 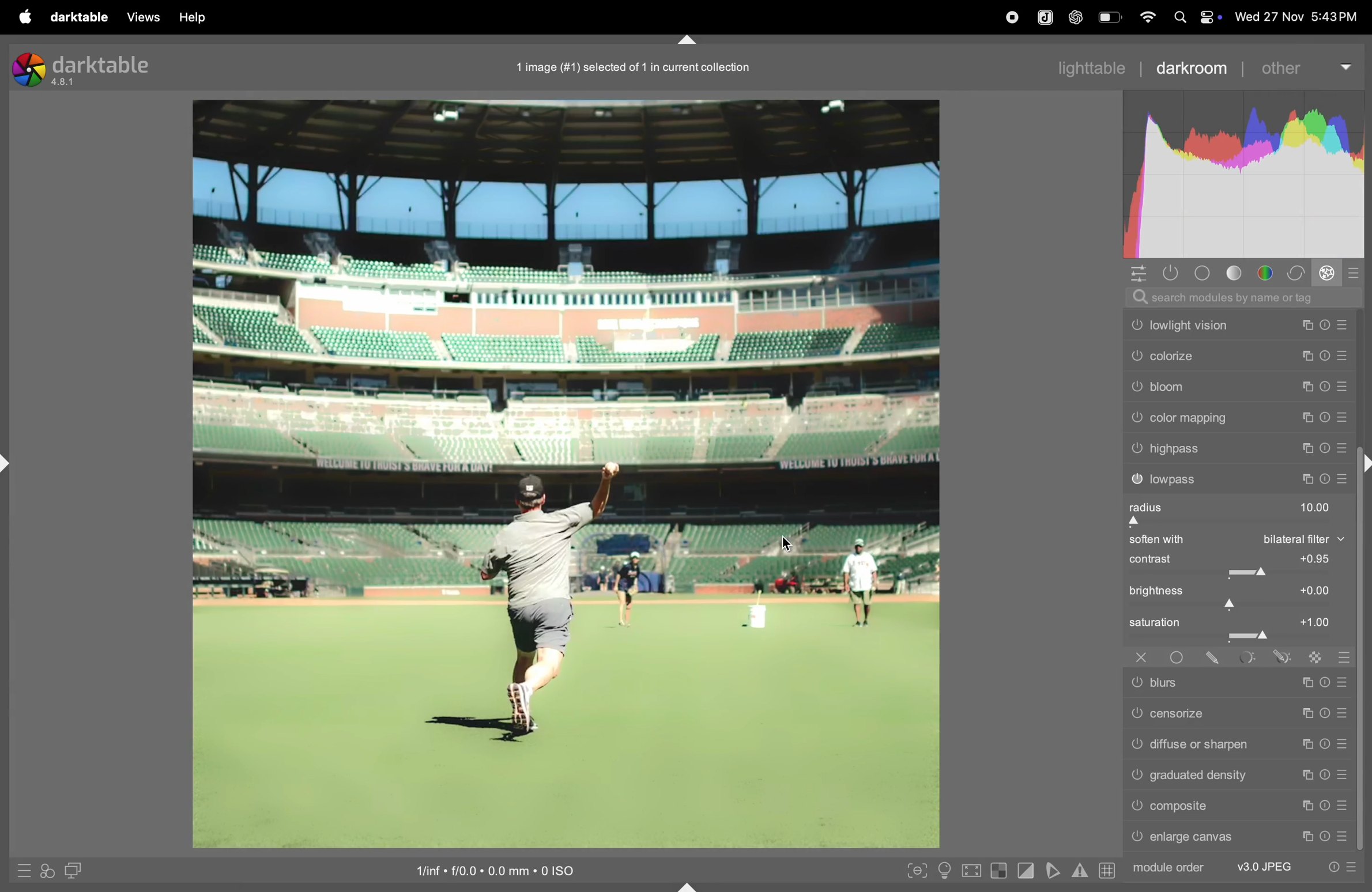 What do you see at coordinates (1364, 670) in the screenshot?
I see `scroll bar` at bounding box center [1364, 670].